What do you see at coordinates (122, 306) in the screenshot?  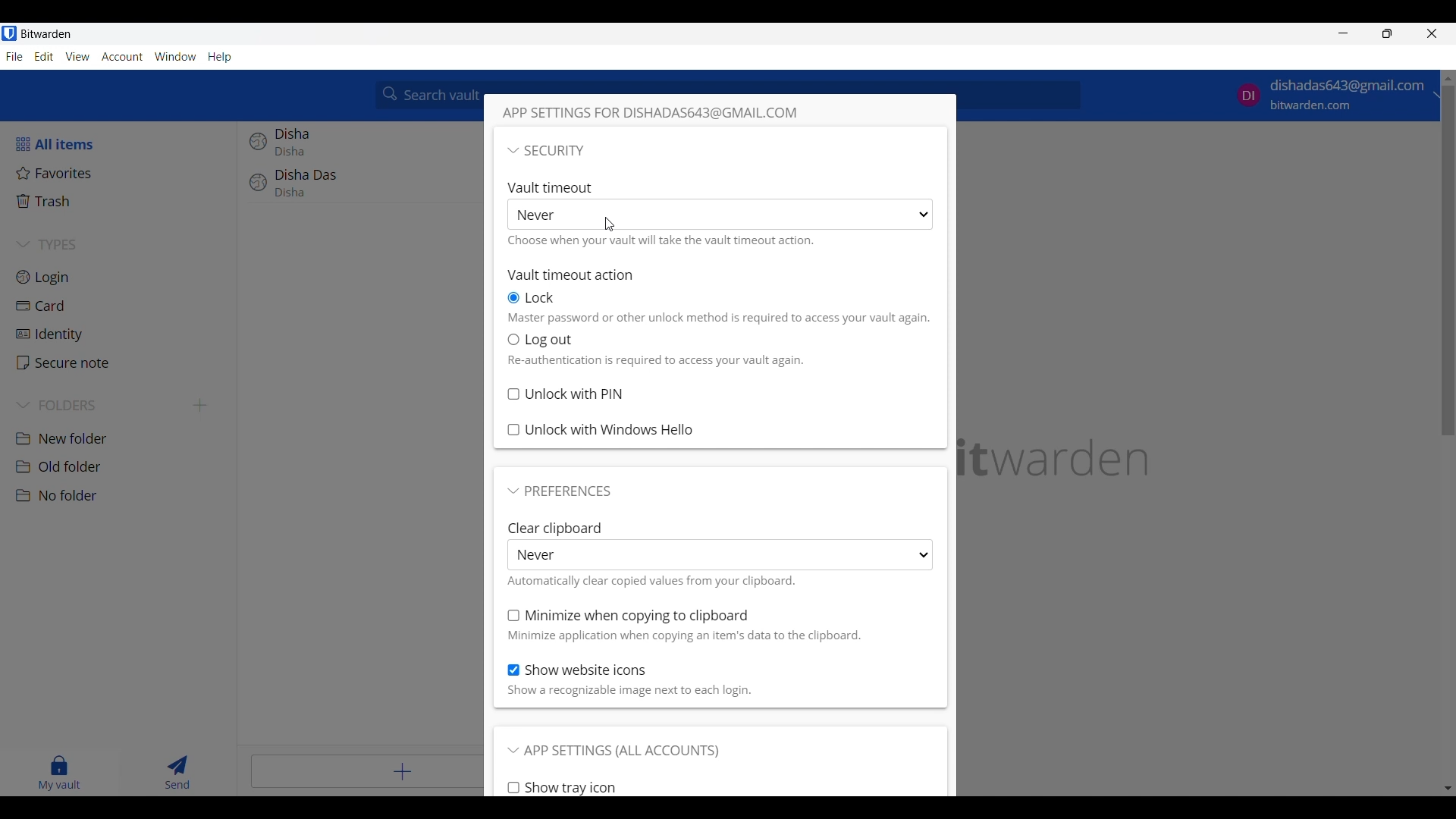 I see `Card` at bounding box center [122, 306].